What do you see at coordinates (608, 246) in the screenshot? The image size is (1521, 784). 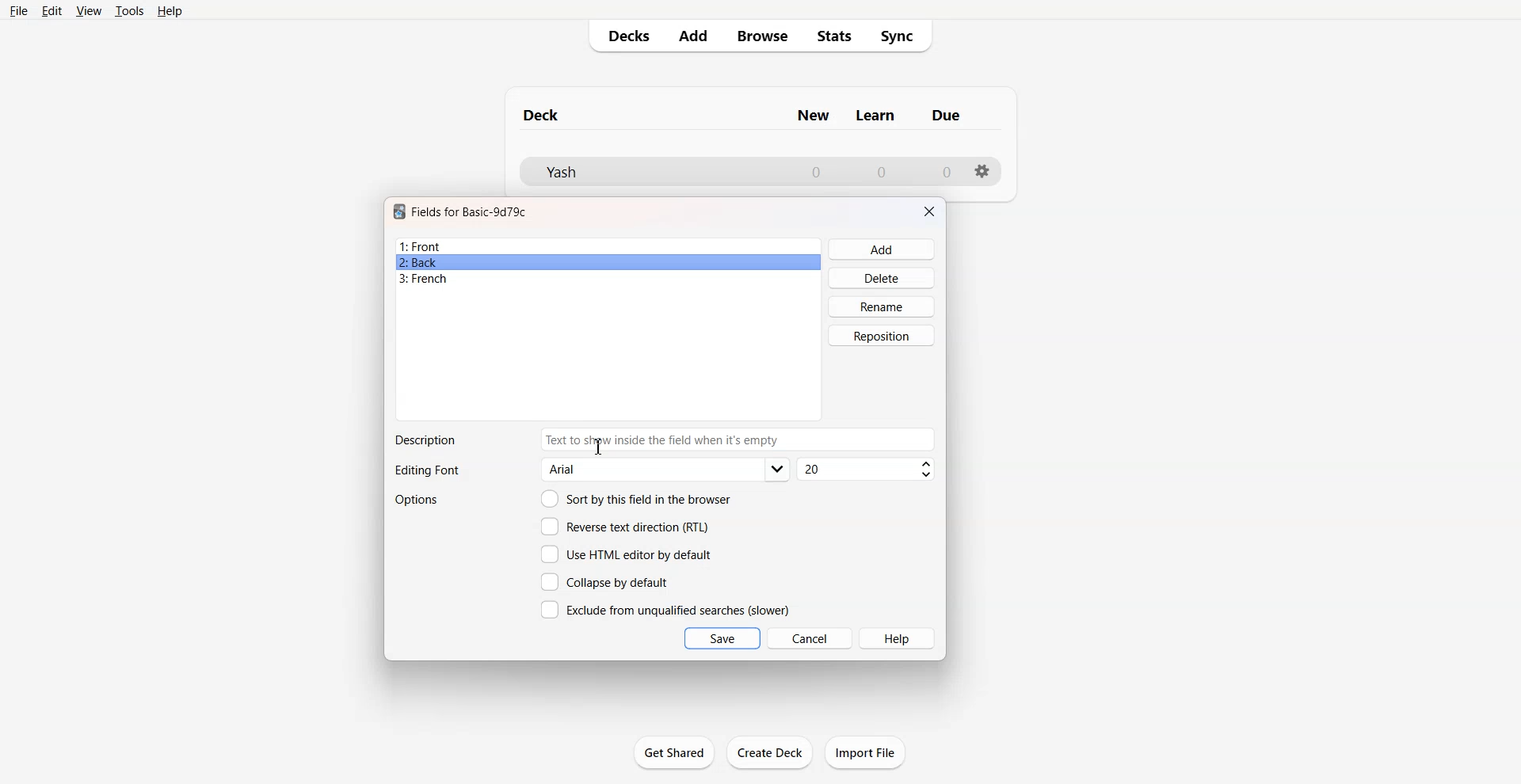 I see `Front` at bounding box center [608, 246].